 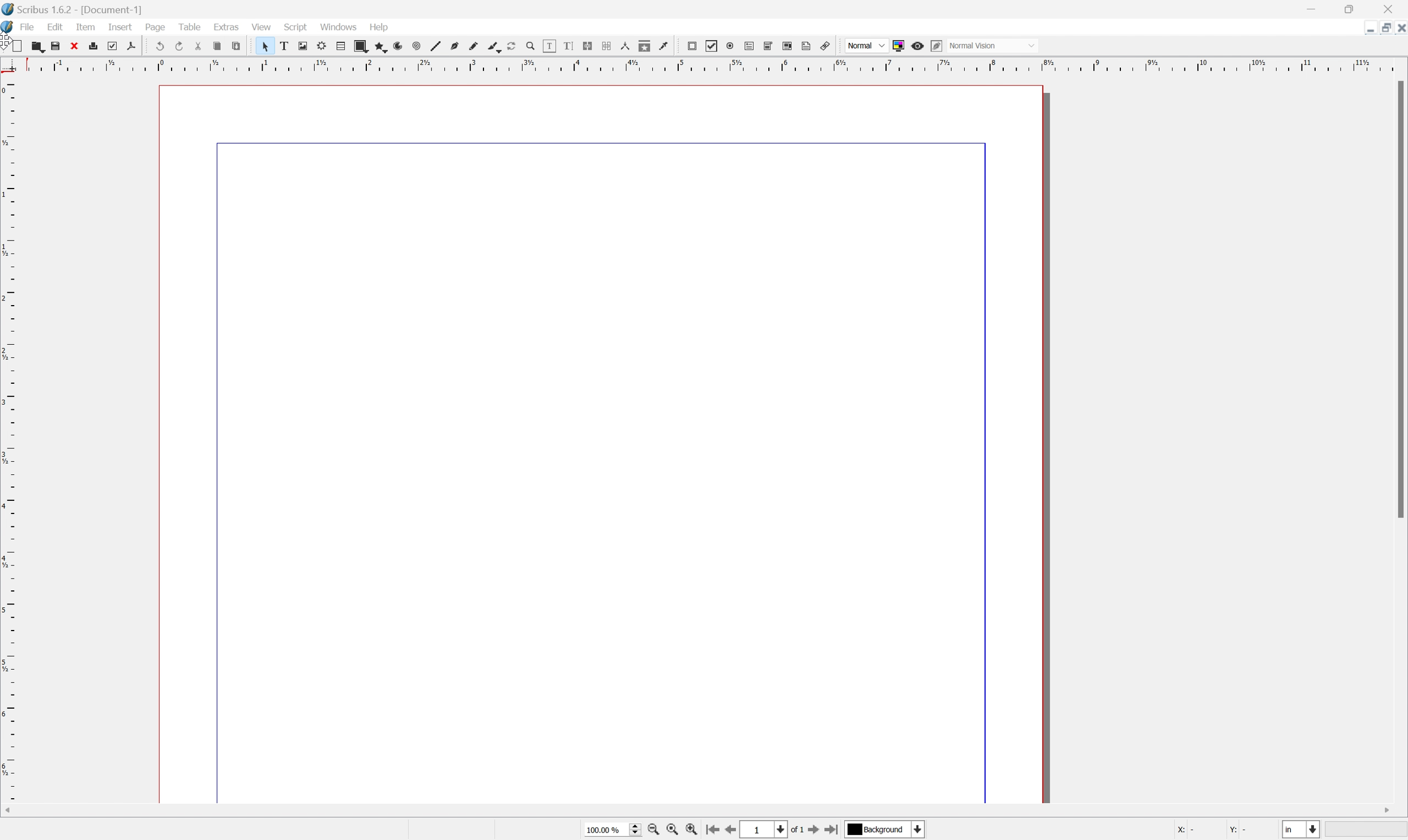 I want to click on link annotation, so click(x=824, y=46).